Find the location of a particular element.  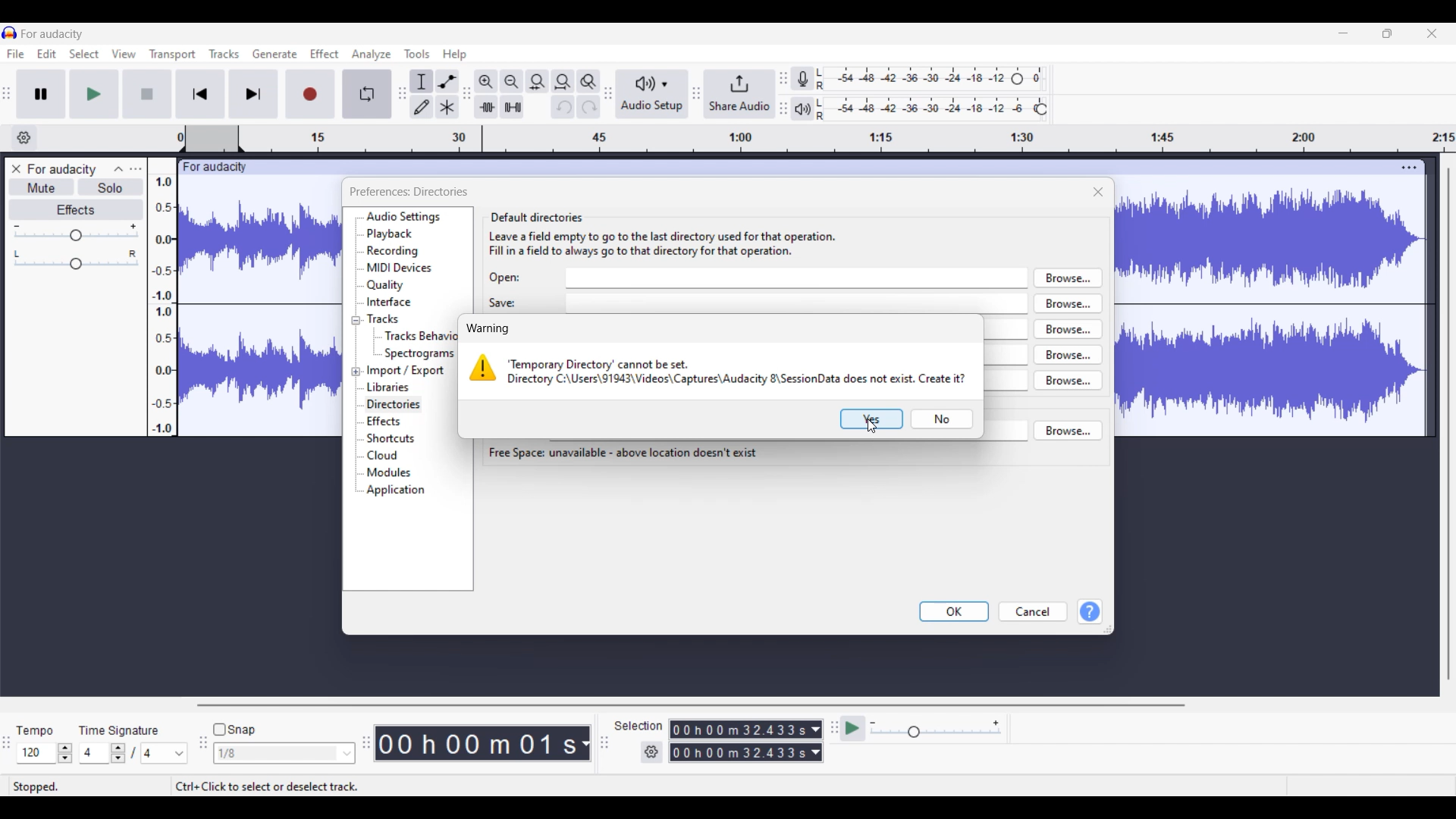

Select menu is located at coordinates (84, 54).